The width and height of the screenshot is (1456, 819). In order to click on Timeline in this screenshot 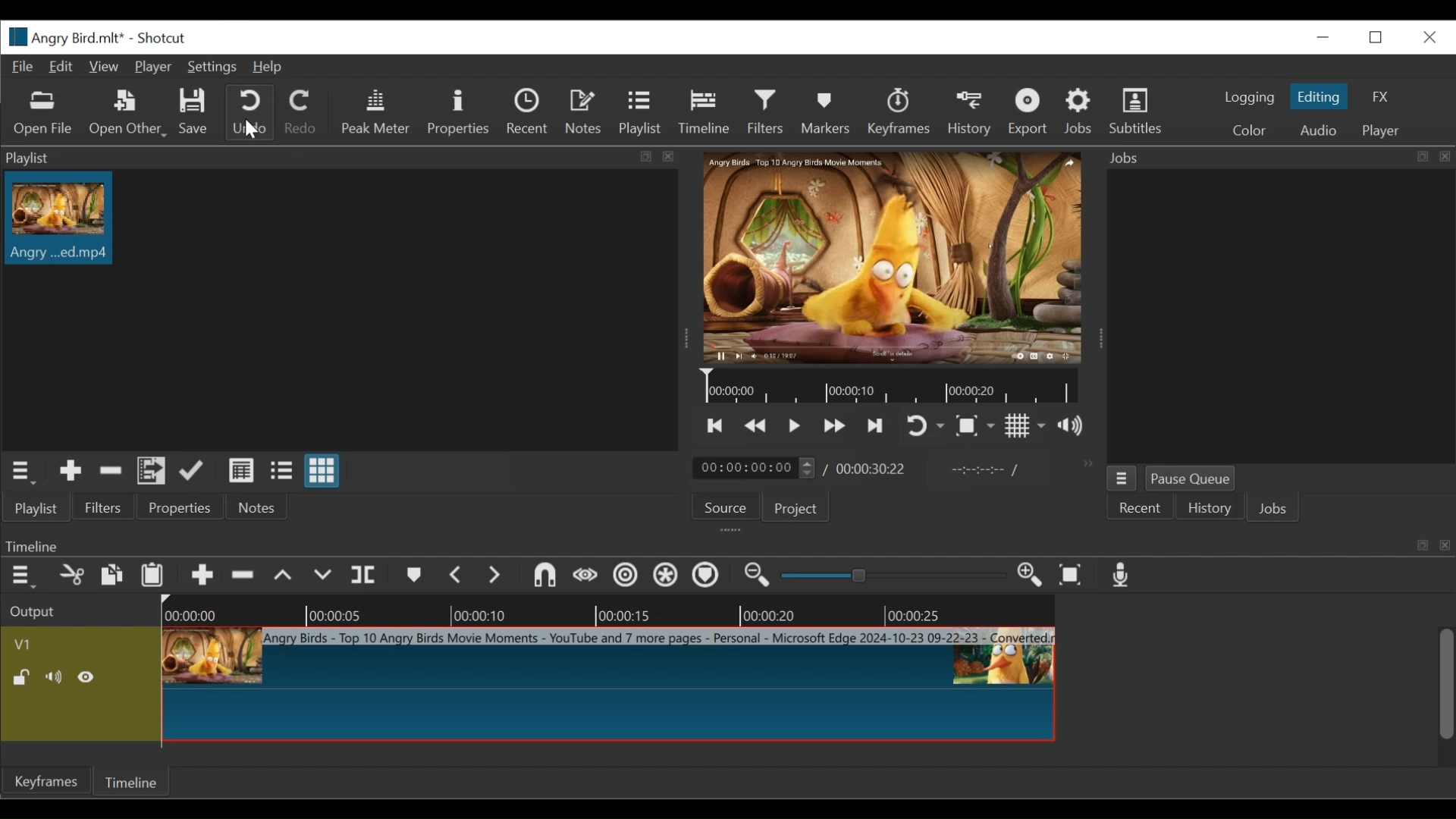, I will do `click(703, 112)`.